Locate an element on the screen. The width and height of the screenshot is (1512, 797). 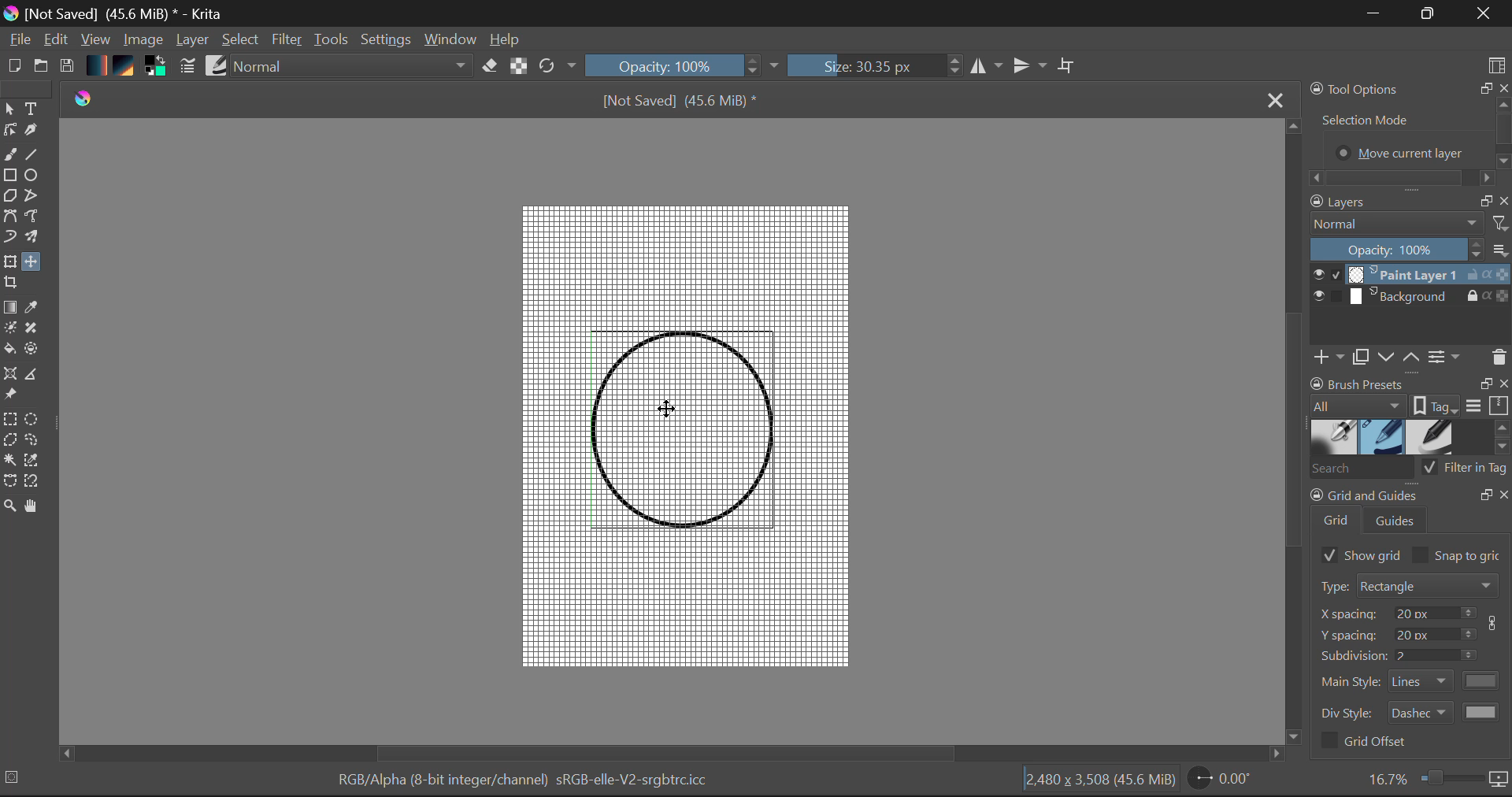
Dynamic Paintbrush is located at coordinates (9, 238).